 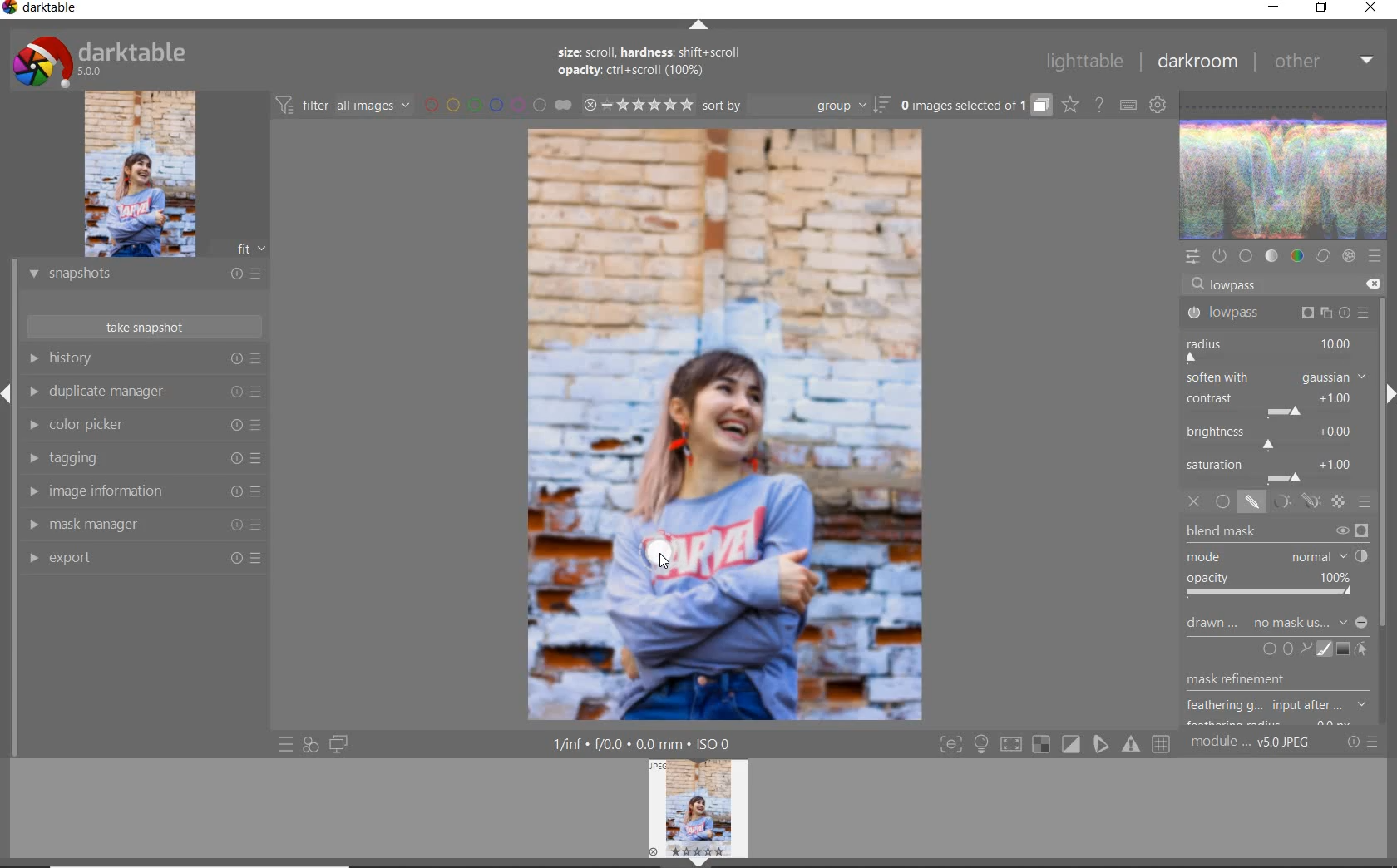 What do you see at coordinates (142, 494) in the screenshot?
I see `image information` at bounding box center [142, 494].